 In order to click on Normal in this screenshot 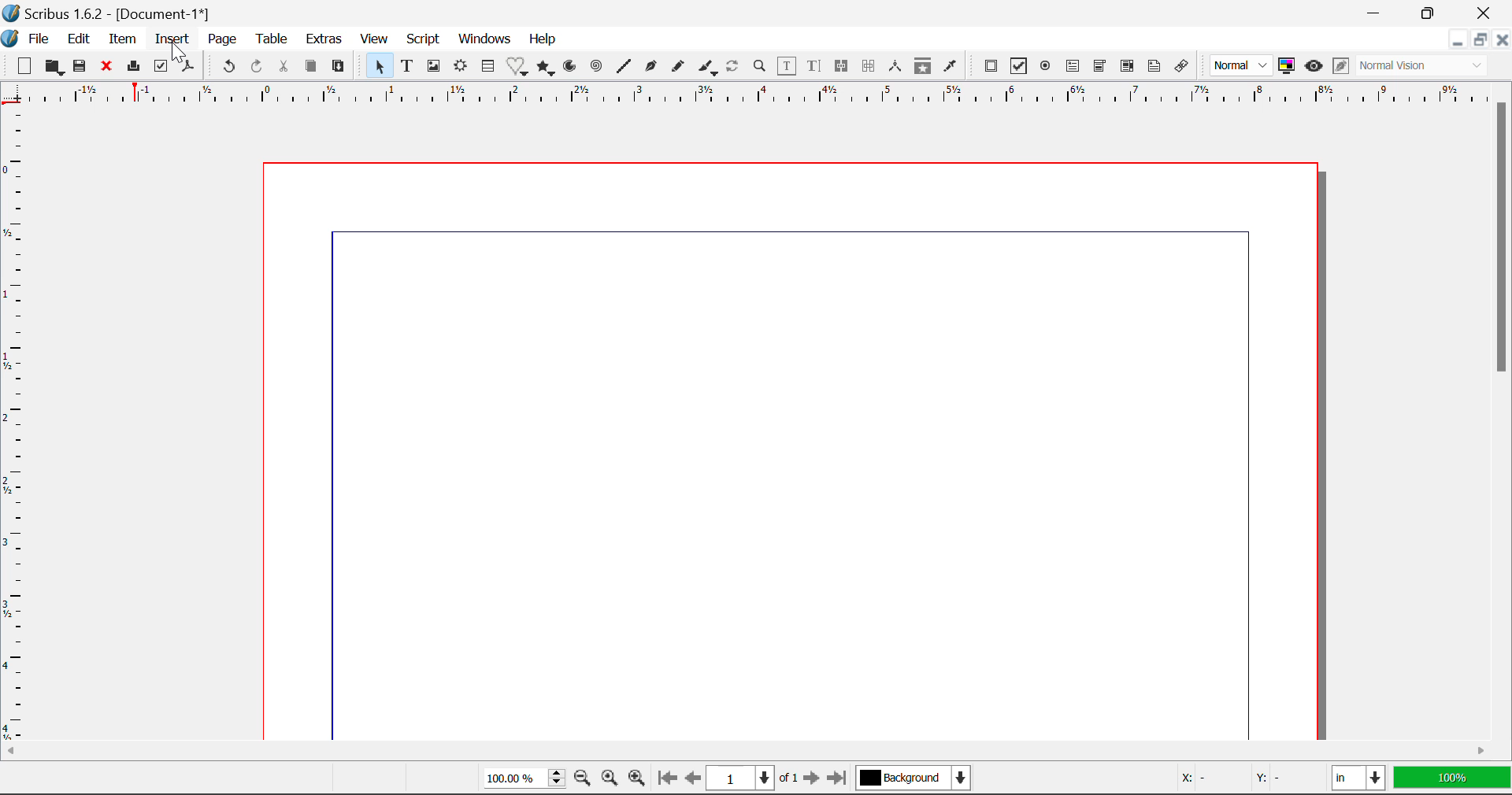, I will do `click(1243, 65)`.